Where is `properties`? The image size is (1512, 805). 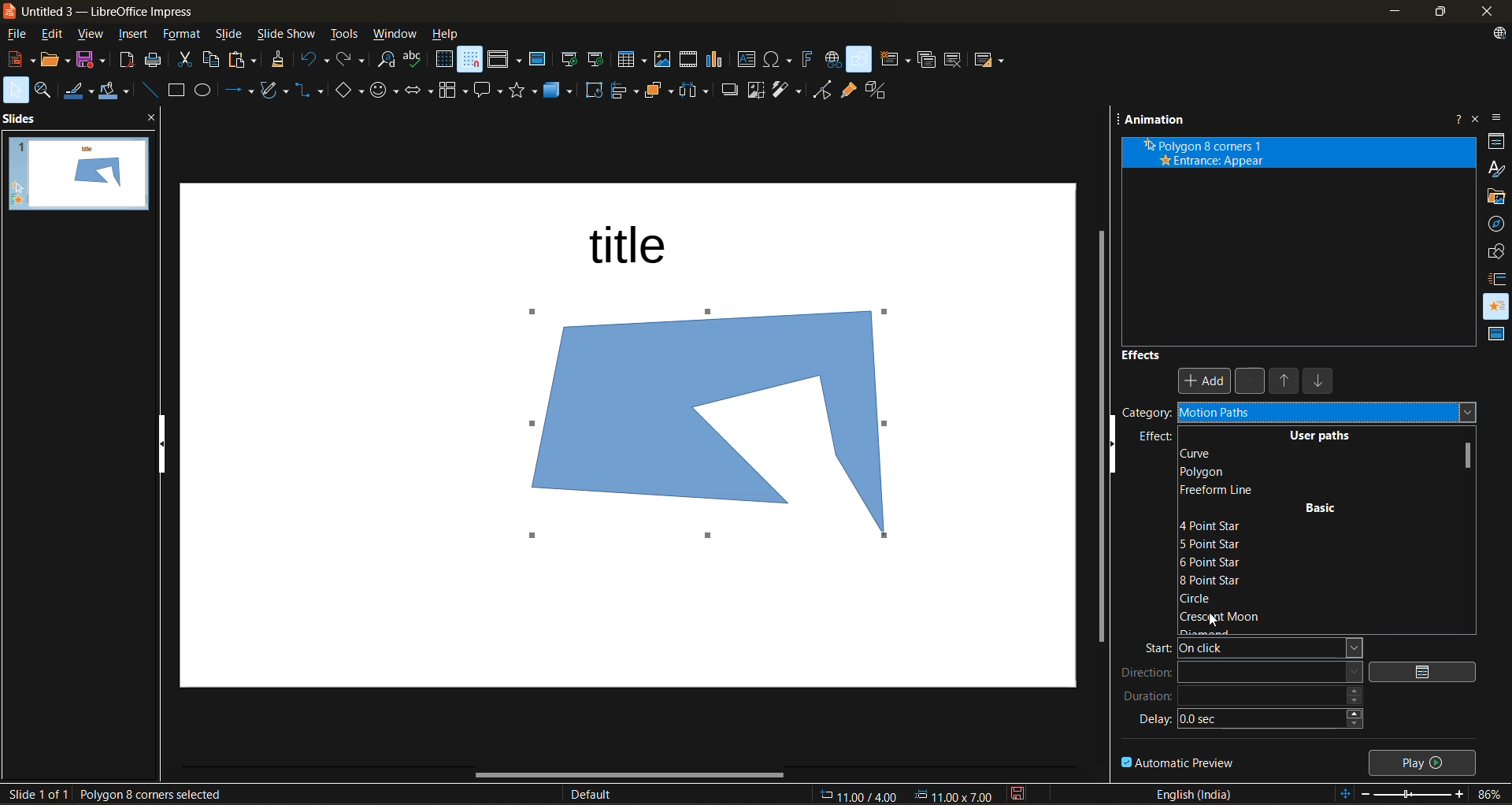 properties is located at coordinates (1495, 140).